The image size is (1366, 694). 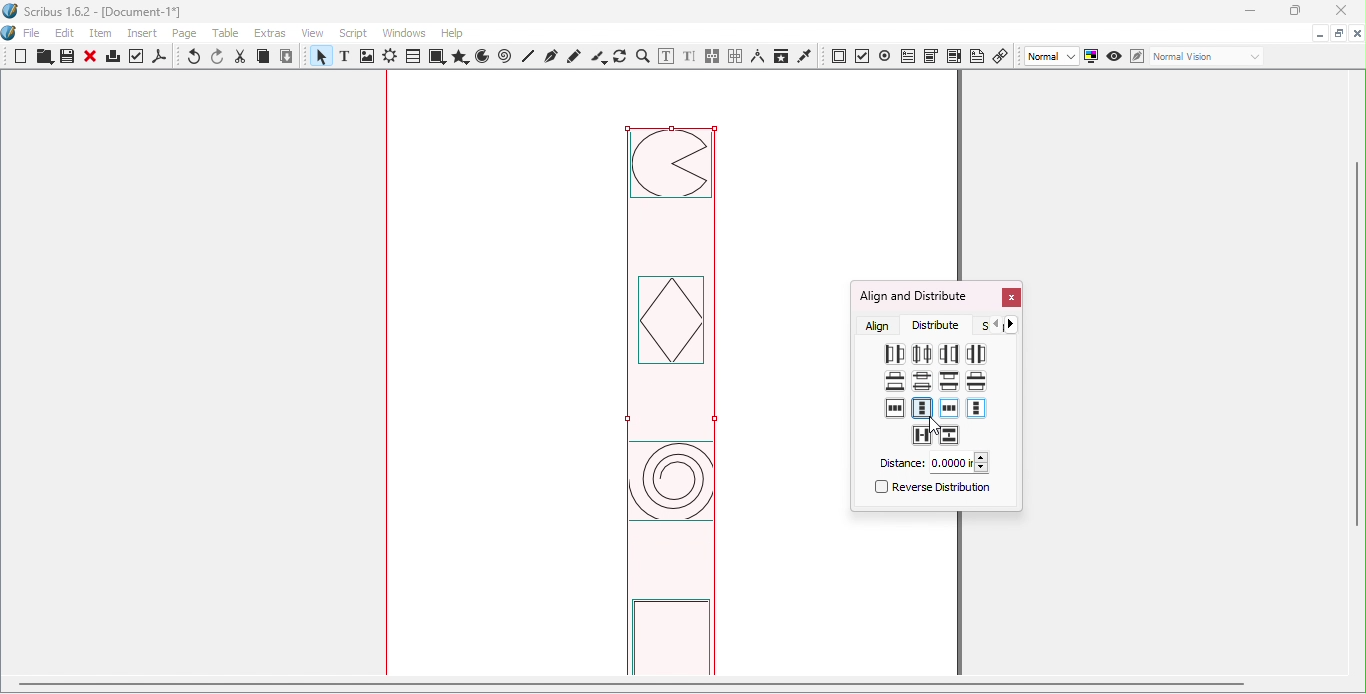 What do you see at coordinates (689, 57) in the screenshot?
I see `Edit text with story editor` at bounding box center [689, 57].